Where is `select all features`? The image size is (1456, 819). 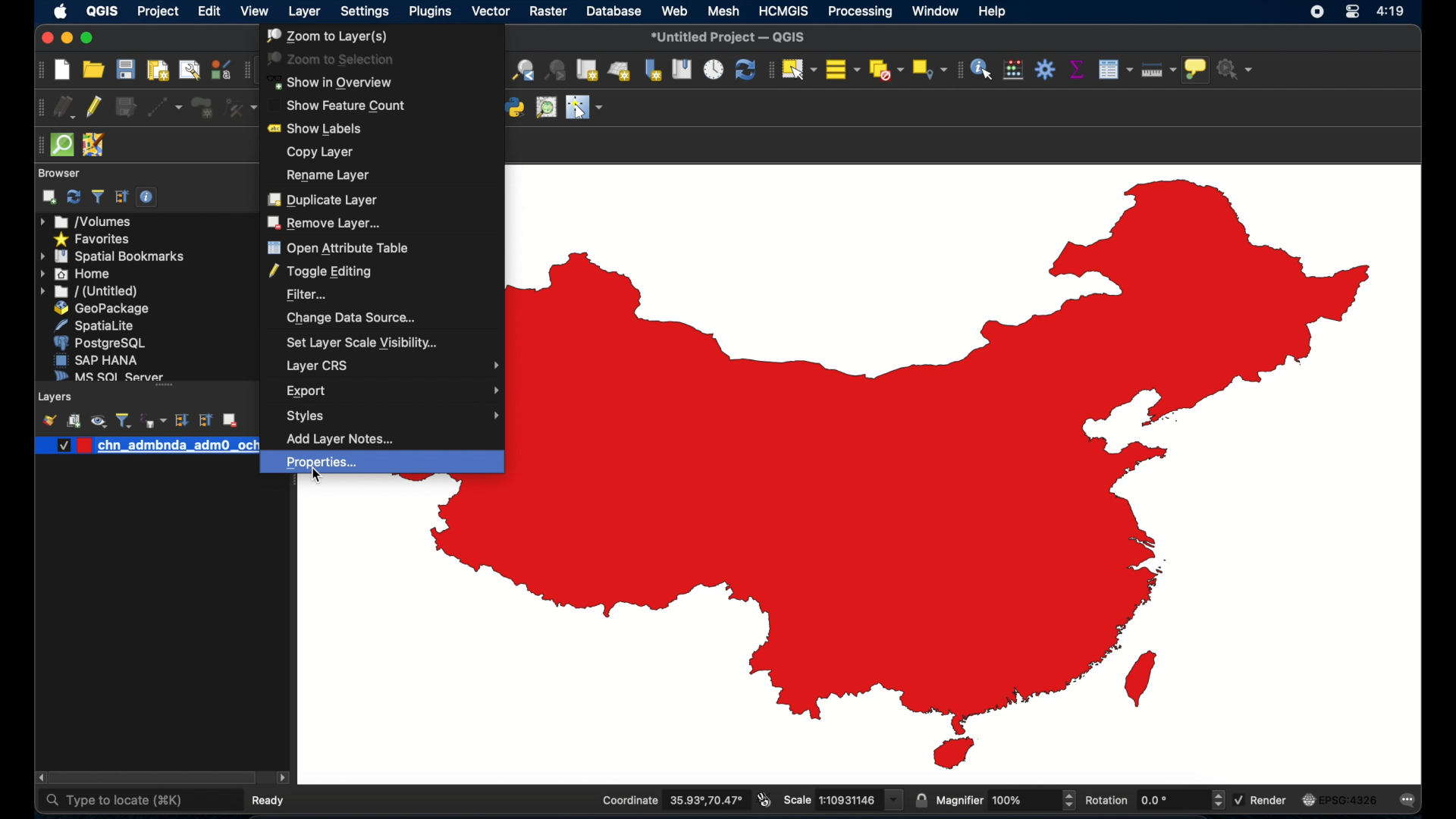
select all features is located at coordinates (842, 68).